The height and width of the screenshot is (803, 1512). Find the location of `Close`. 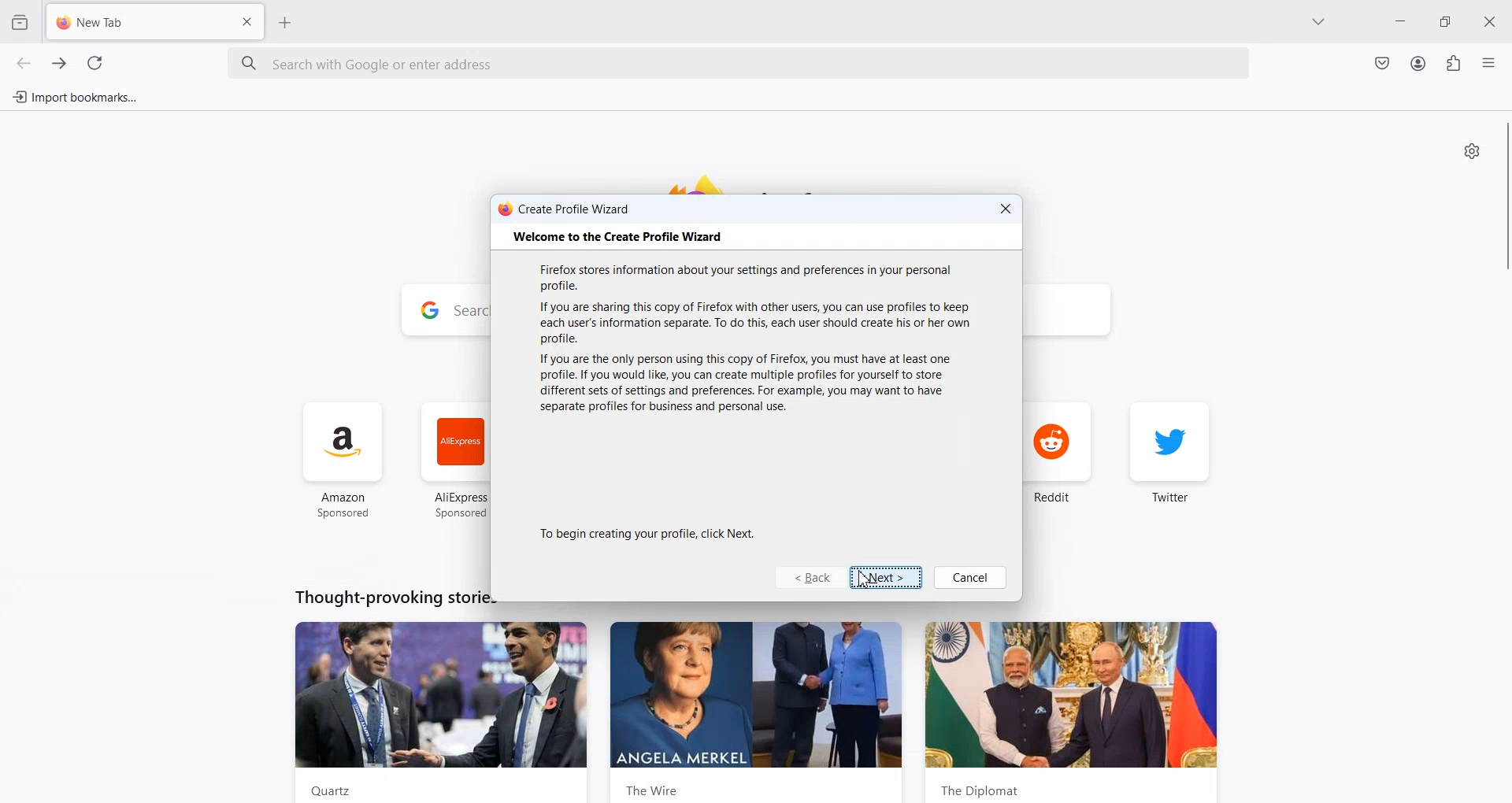

Close is located at coordinates (1005, 209).